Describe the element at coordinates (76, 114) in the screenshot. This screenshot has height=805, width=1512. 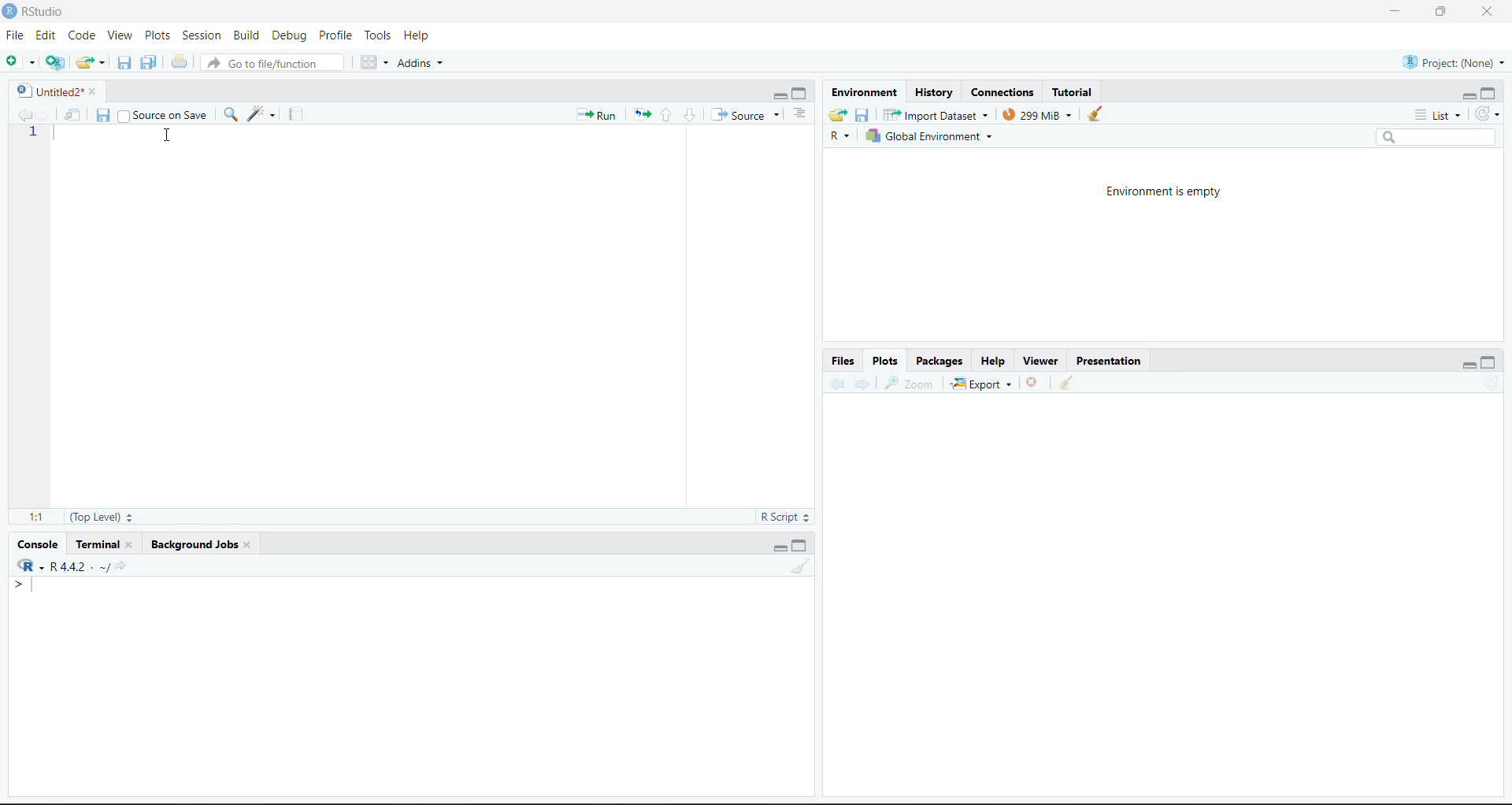
I see `show in new window` at that location.